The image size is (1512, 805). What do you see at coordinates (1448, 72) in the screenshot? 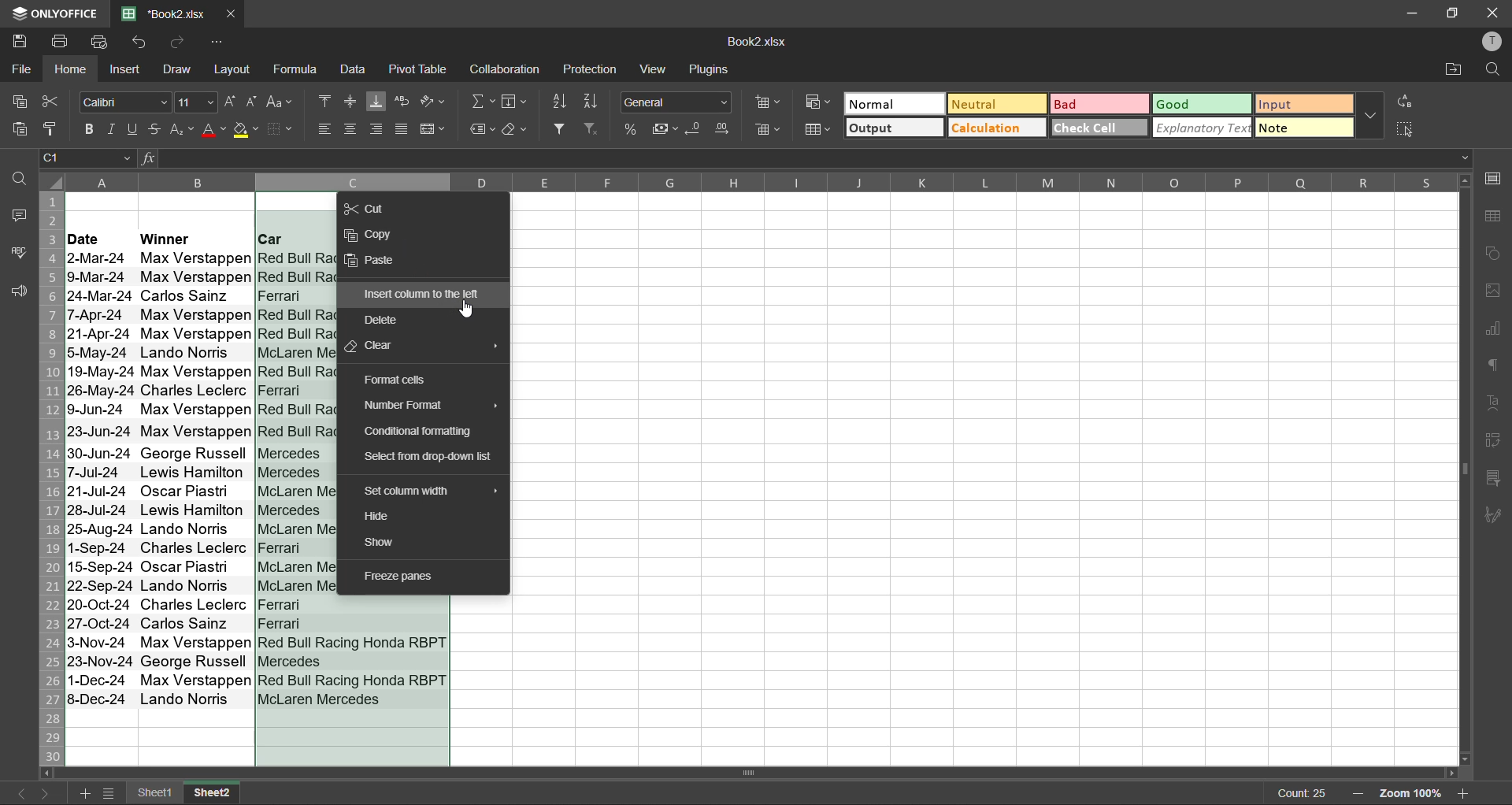
I see `open location` at bounding box center [1448, 72].